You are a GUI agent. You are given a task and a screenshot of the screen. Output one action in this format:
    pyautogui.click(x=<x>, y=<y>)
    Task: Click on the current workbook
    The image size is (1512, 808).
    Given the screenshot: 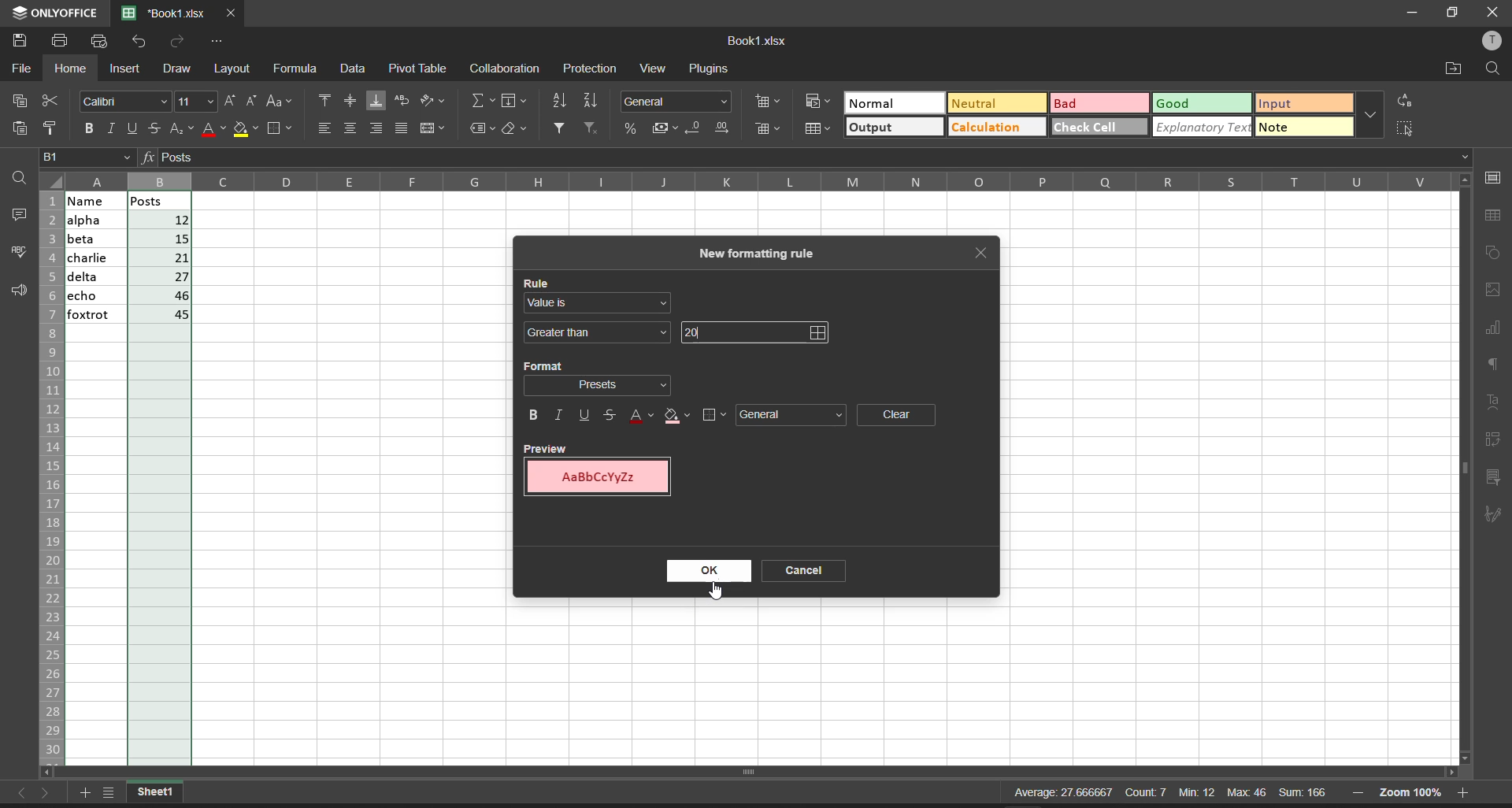 What is the action you would take?
    pyautogui.click(x=160, y=791)
    